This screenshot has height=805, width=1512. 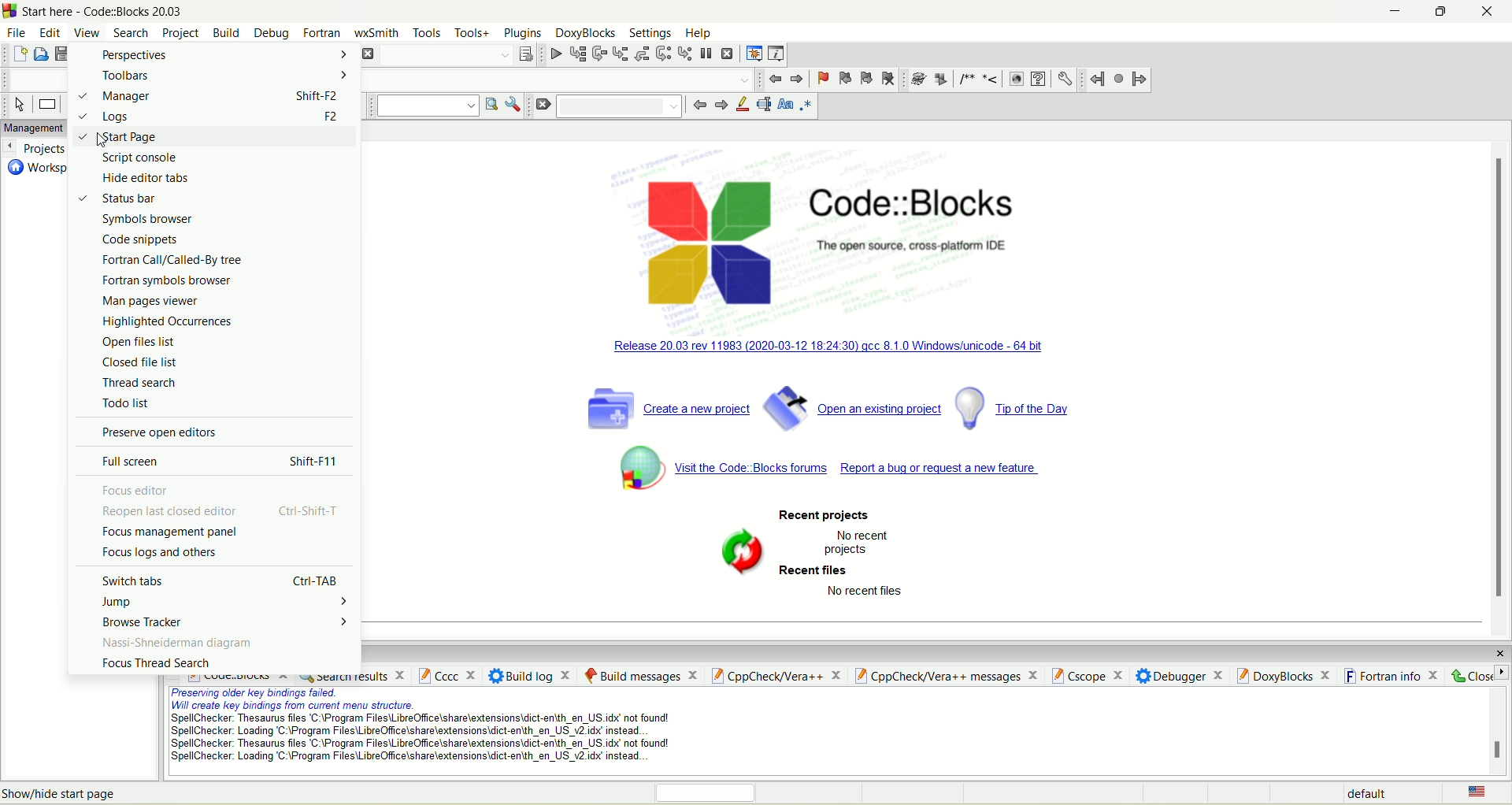 What do you see at coordinates (490, 105) in the screenshot?
I see `run search` at bounding box center [490, 105].